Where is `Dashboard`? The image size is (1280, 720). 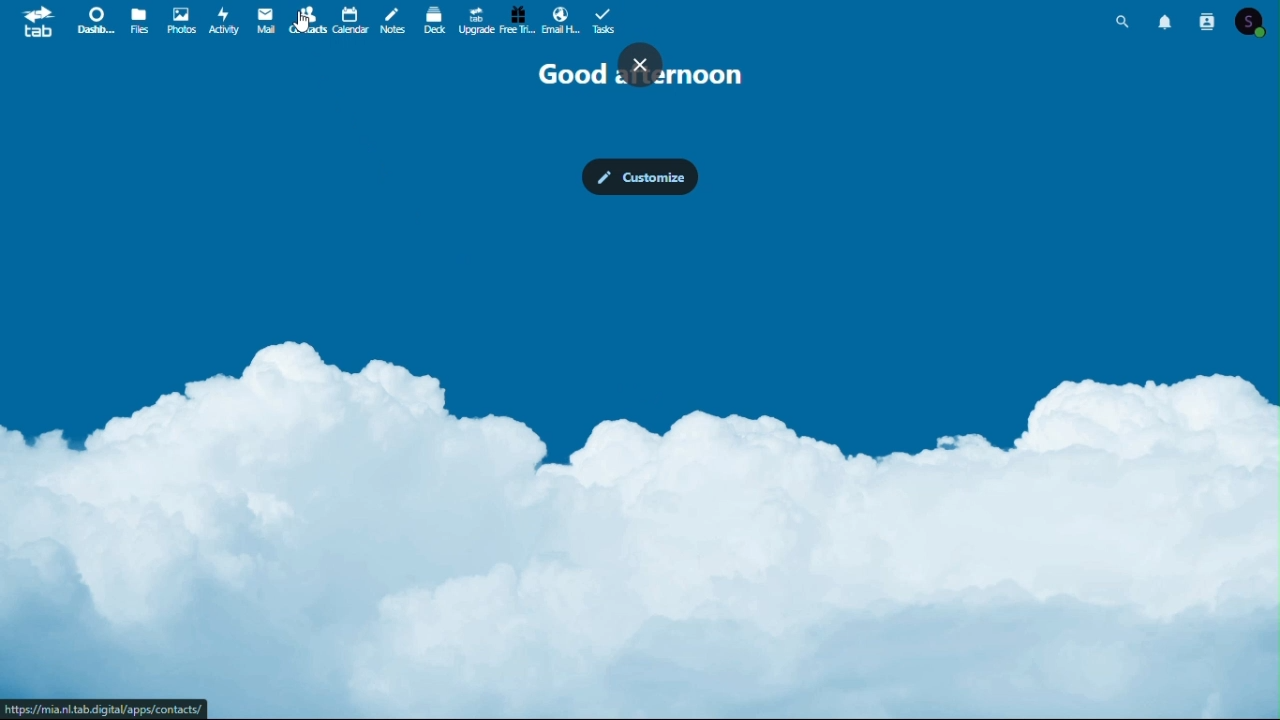
Dashboard is located at coordinates (94, 22).